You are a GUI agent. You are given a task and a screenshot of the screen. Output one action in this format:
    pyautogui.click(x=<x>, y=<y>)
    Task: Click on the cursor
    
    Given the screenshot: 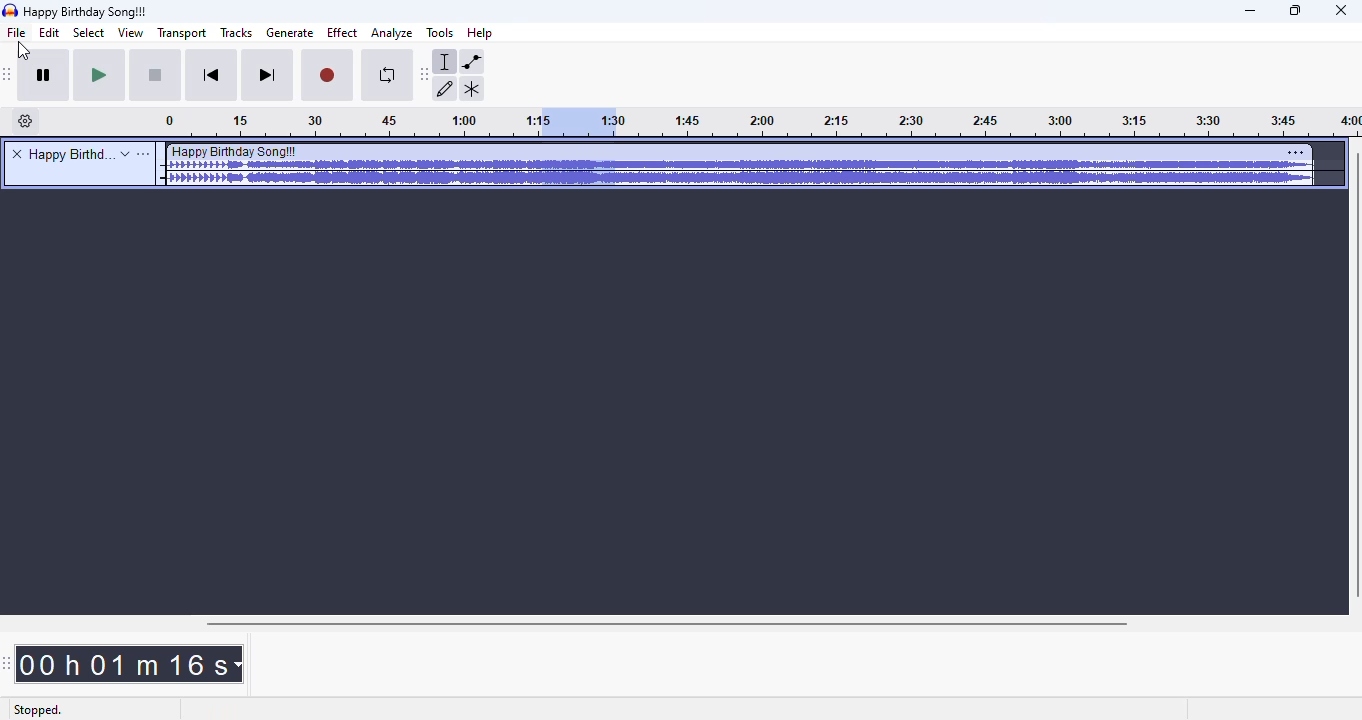 What is the action you would take?
    pyautogui.click(x=22, y=50)
    